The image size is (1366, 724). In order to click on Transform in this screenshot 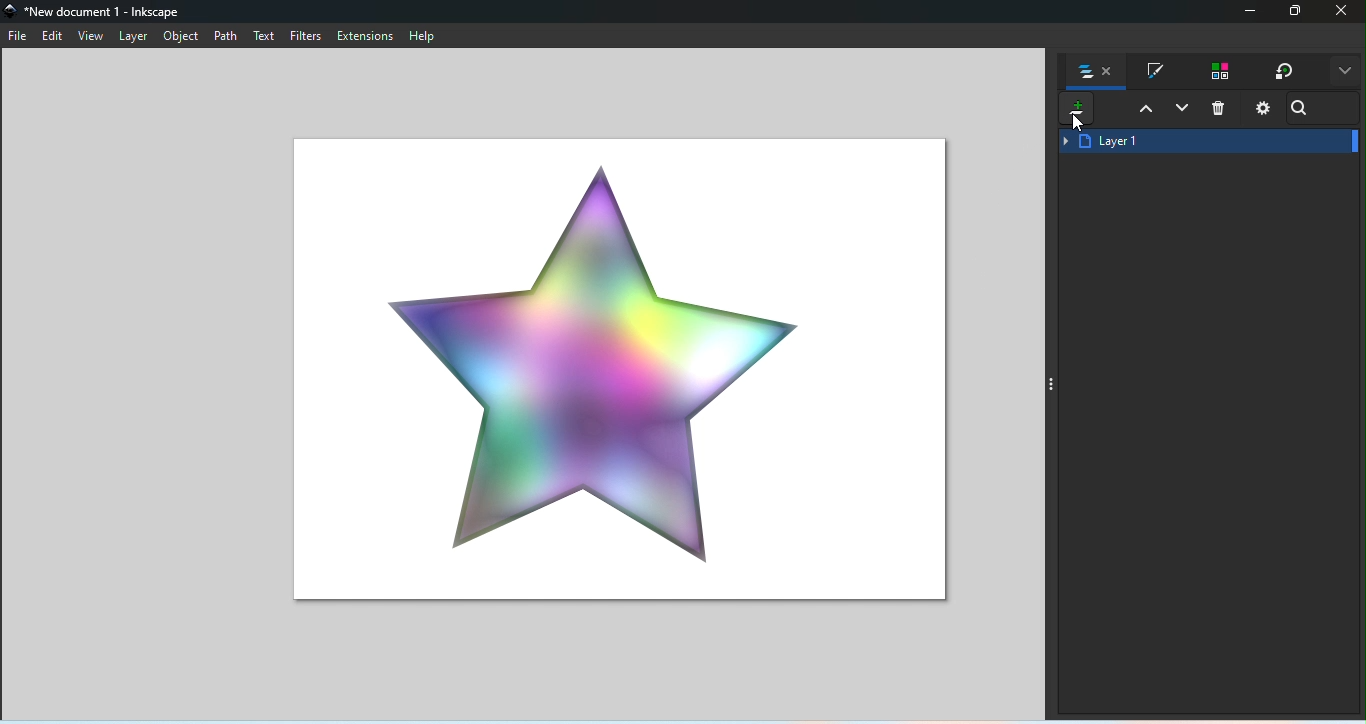, I will do `click(1284, 72)`.